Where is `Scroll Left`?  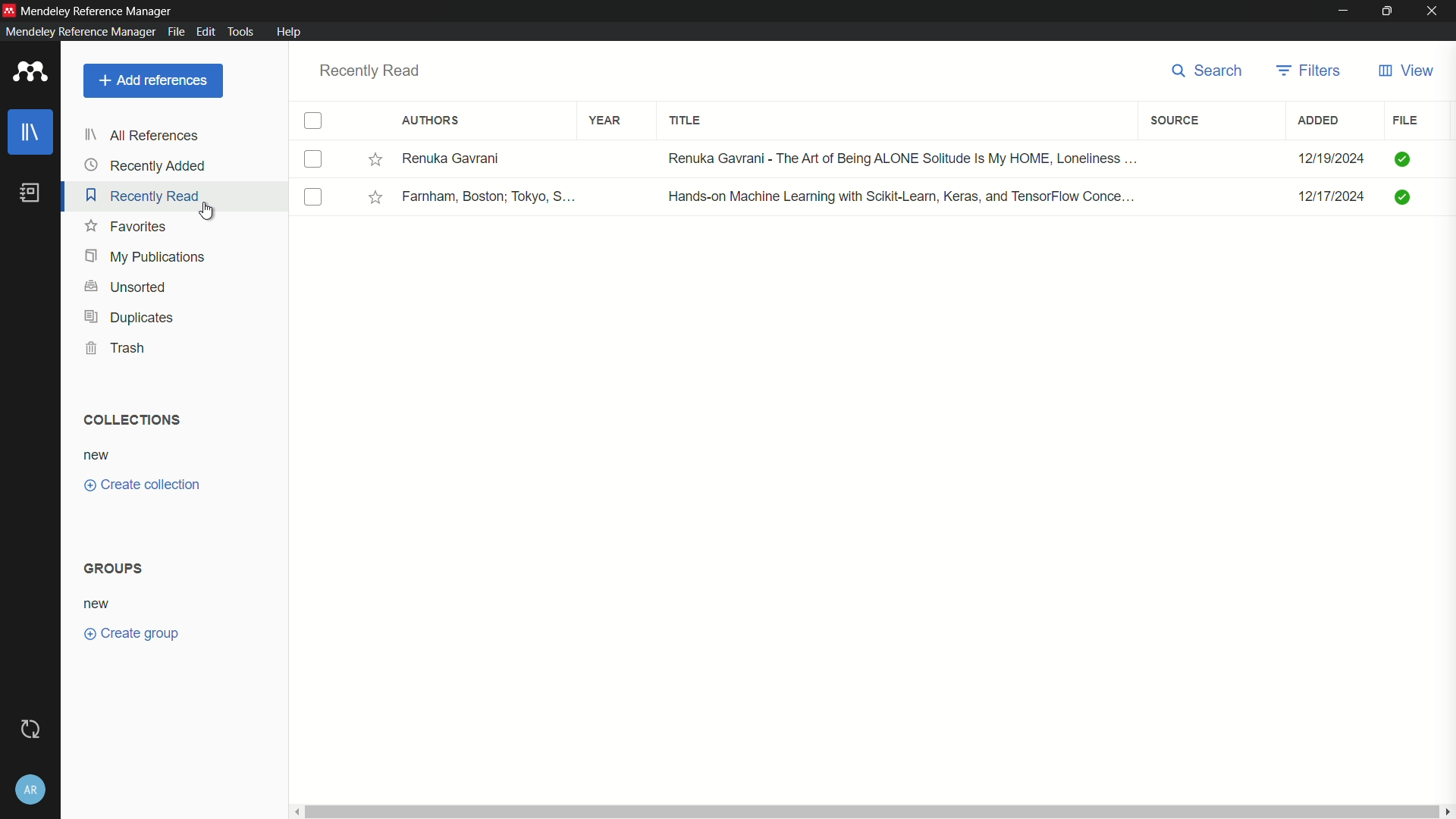 Scroll Left is located at coordinates (297, 813).